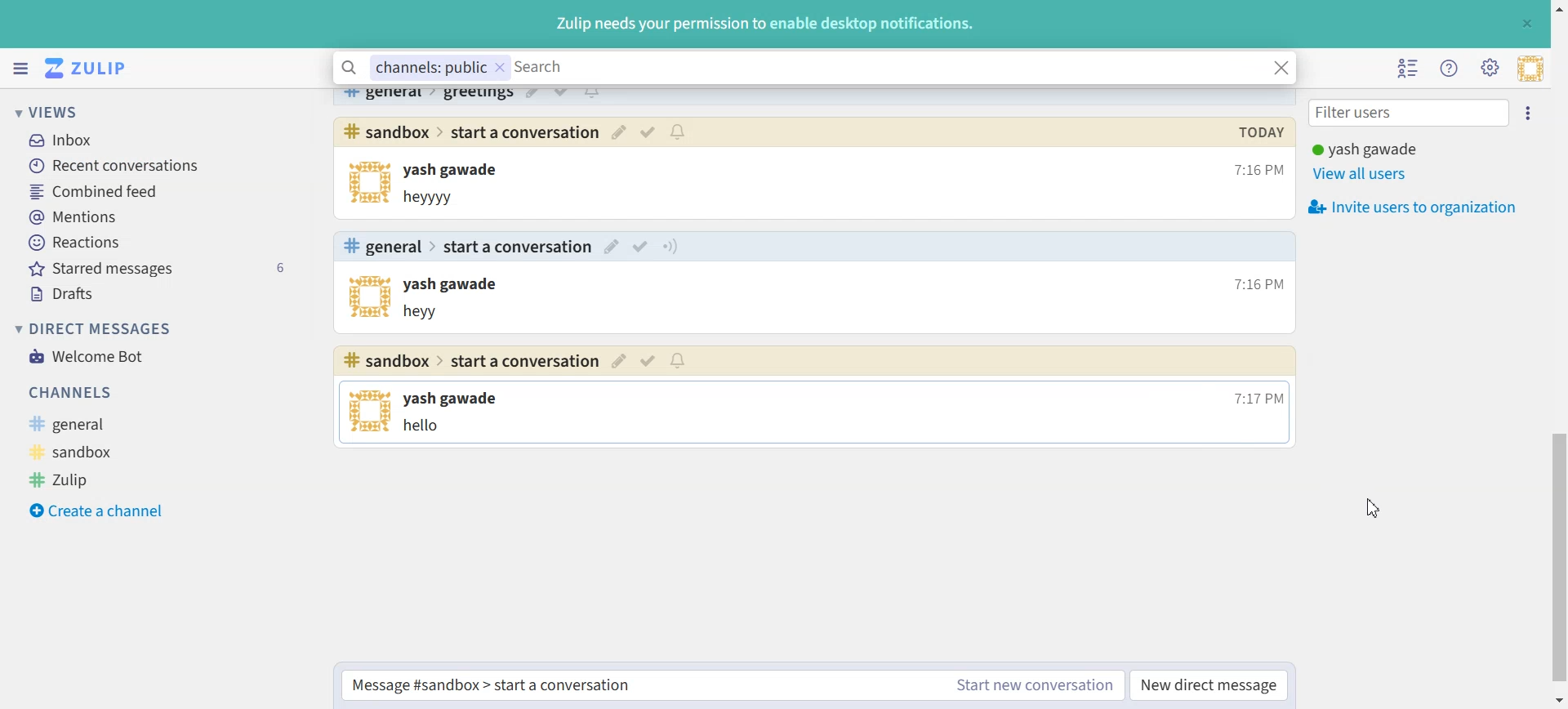 The height and width of the screenshot is (709, 1568). I want to click on yash gawade, so click(455, 286).